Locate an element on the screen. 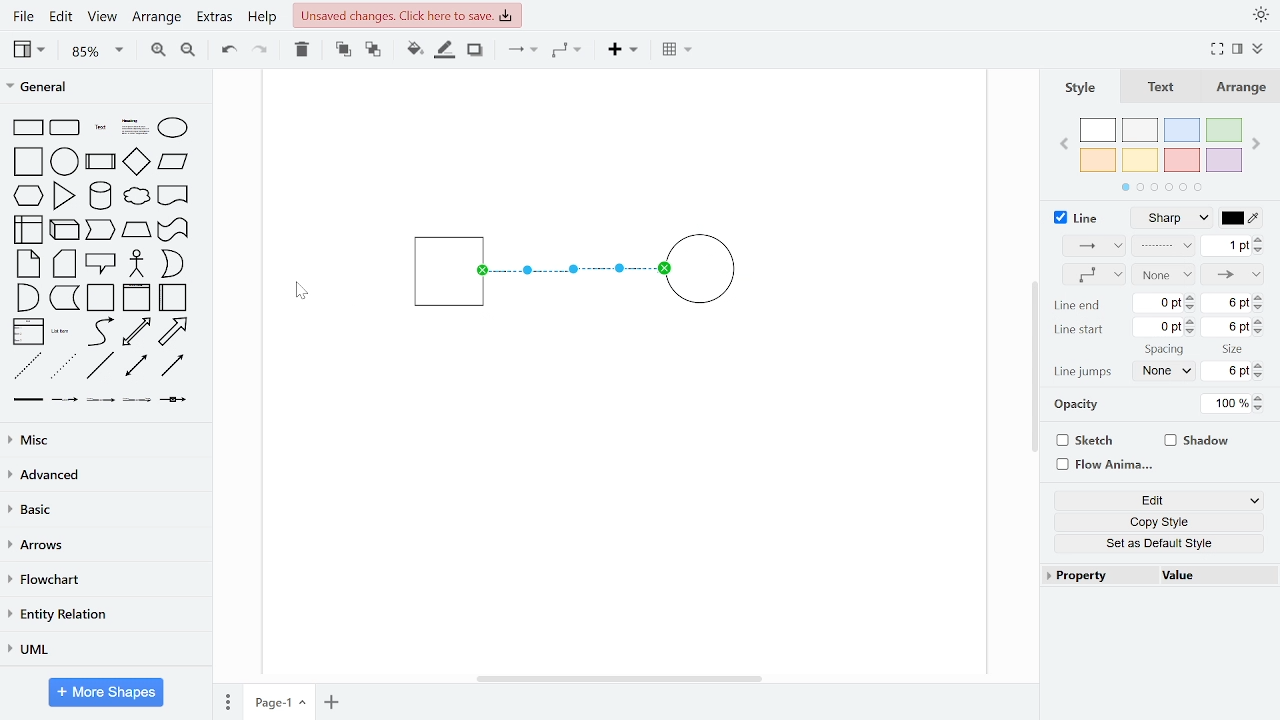 Image resolution: width=1280 pixels, height=720 pixels. list is located at coordinates (28, 332).